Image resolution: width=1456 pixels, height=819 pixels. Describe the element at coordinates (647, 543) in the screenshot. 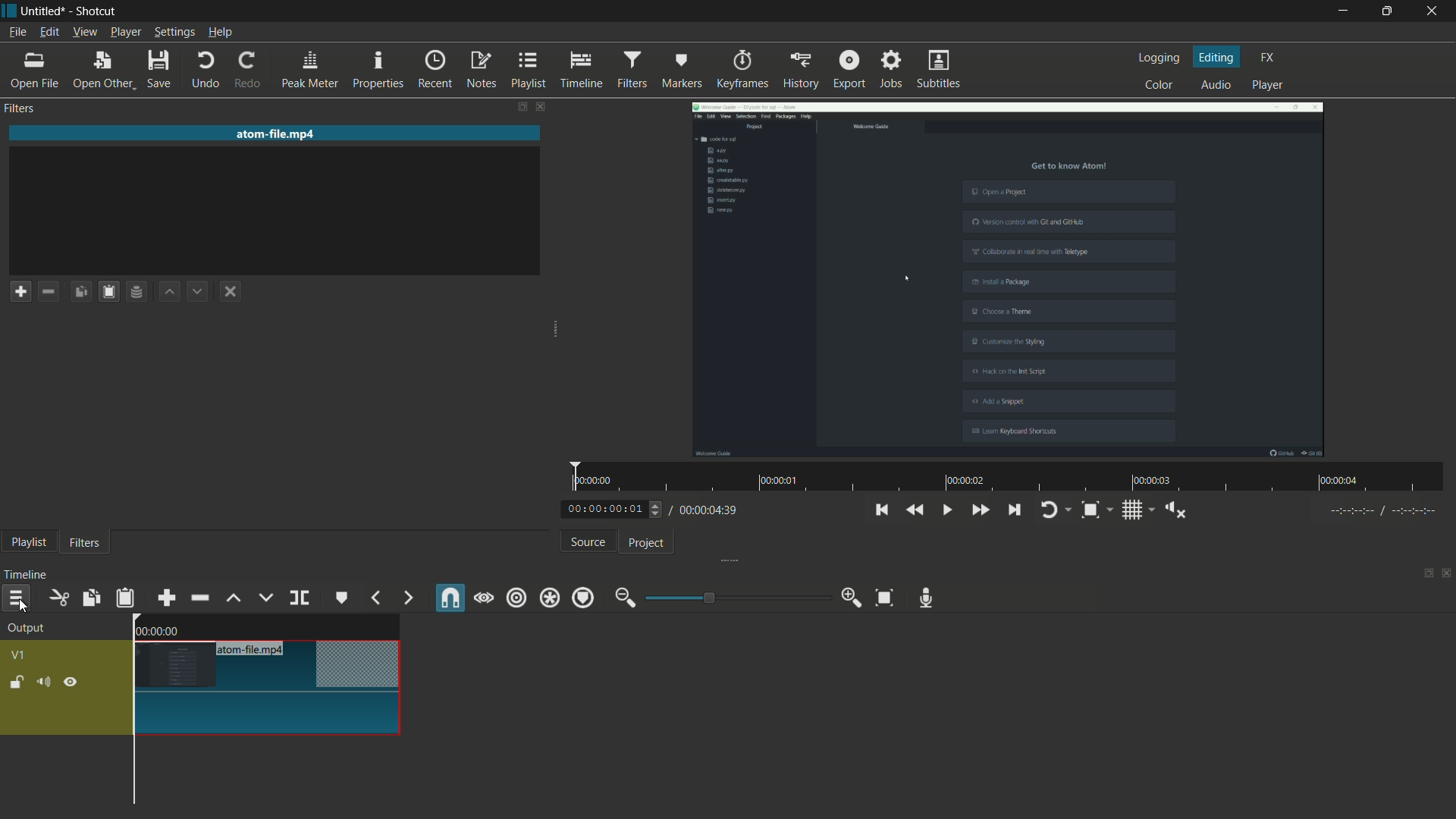

I see `project` at that location.